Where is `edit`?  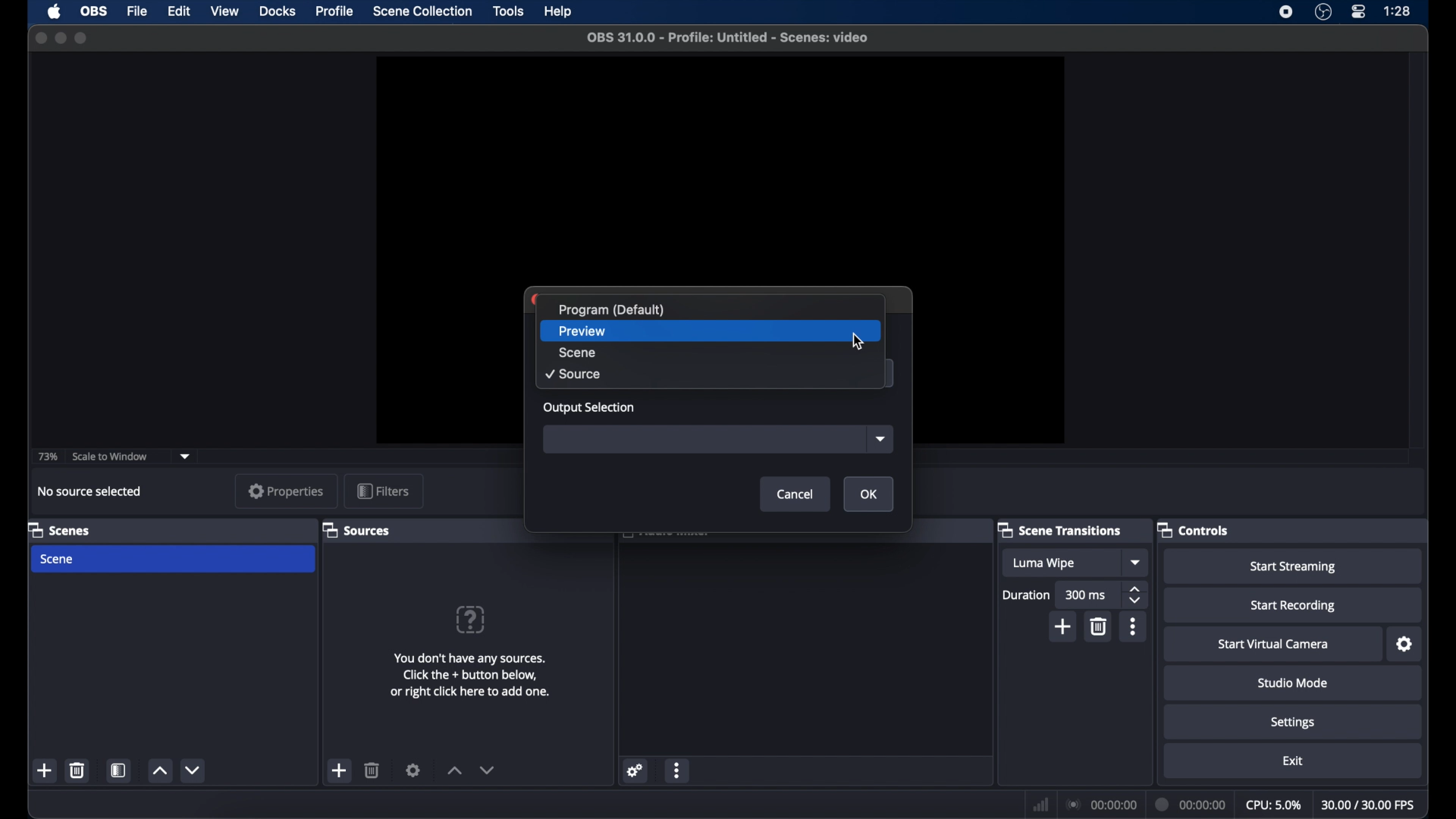 edit is located at coordinates (178, 12).